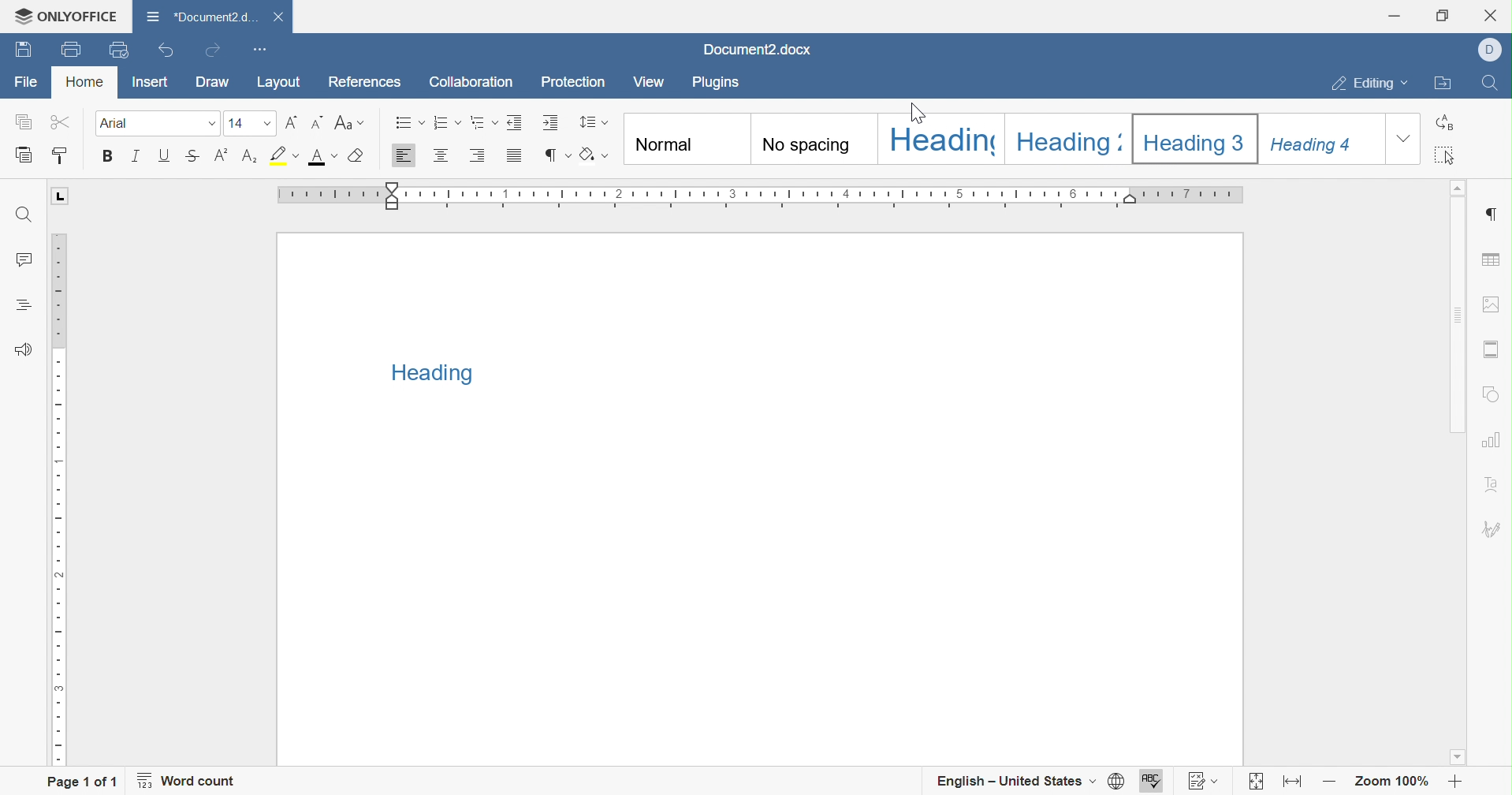 Image resolution: width=1512 pixels, height=795 pixels. What do you see at coordinates (60, 196) in the screenshot?
I see `page orientation` at bounding box center [60, 196].